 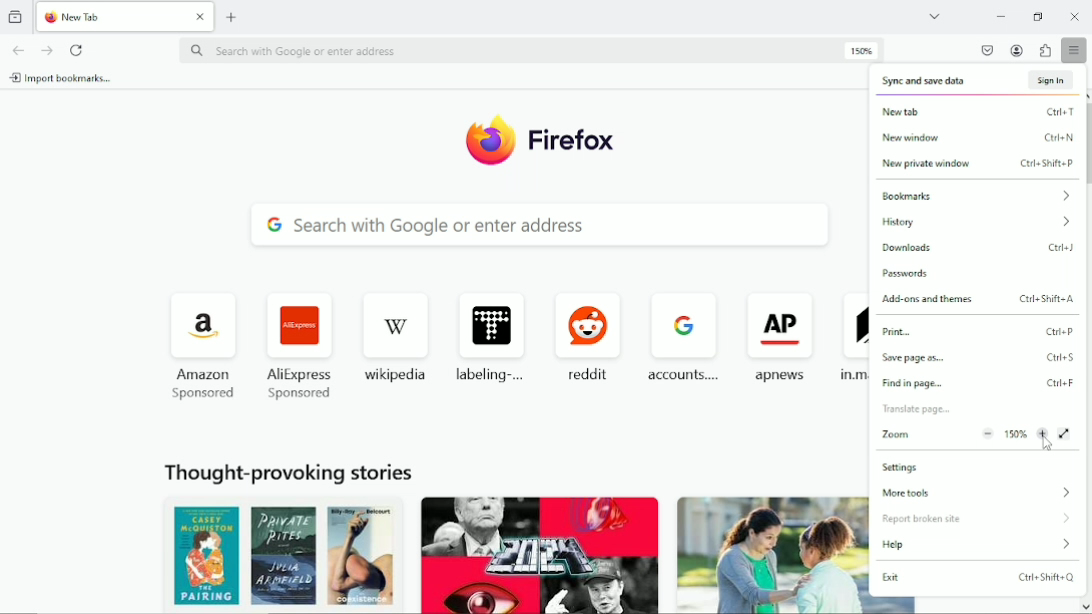 What do you see at coordinates (46, 50) in the screenshot?
I see `go forward` at bounding box center [46, 50].